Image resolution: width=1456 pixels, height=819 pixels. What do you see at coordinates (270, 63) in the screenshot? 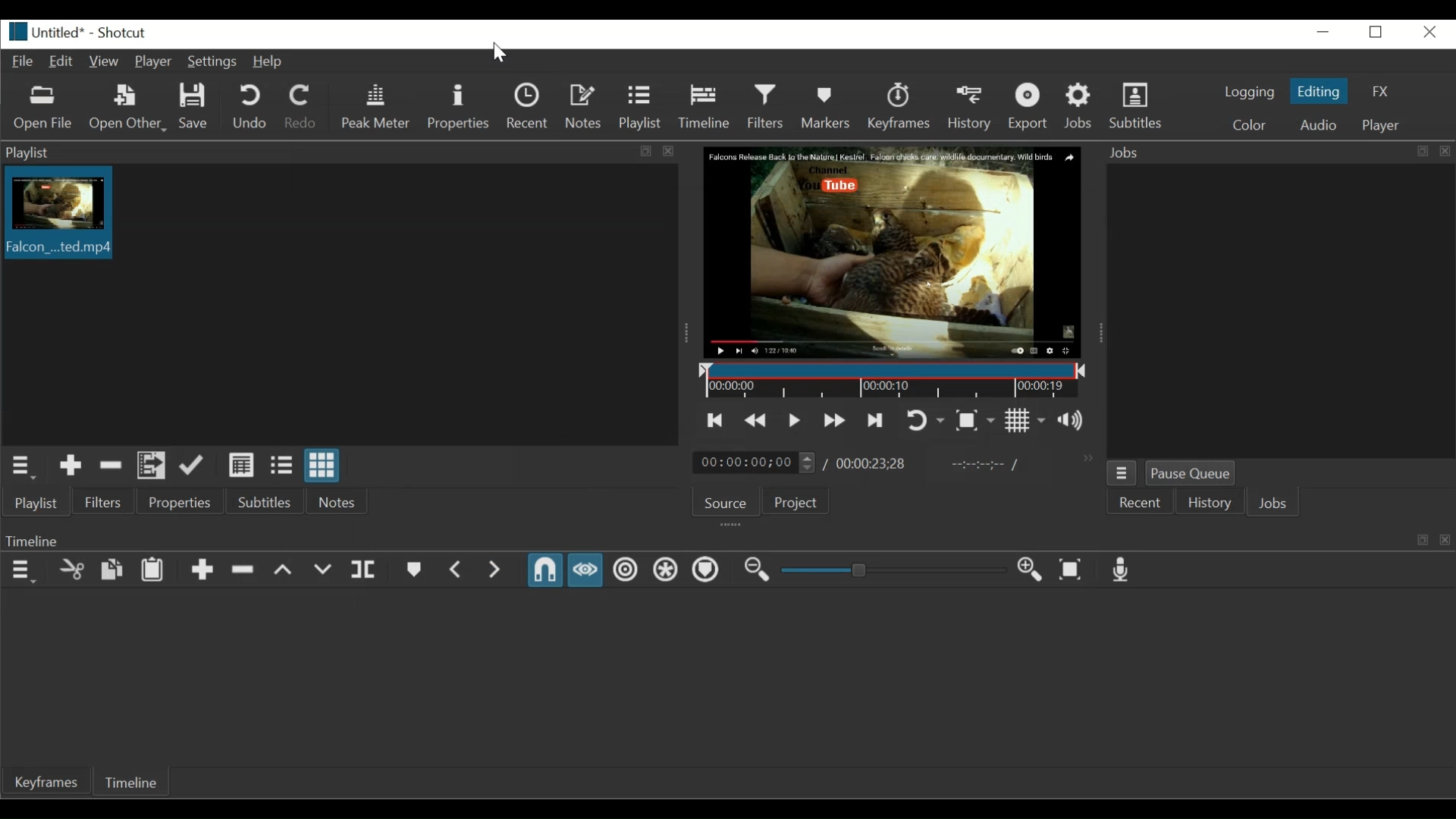
I see `Help` at bounding box center [270, 63].